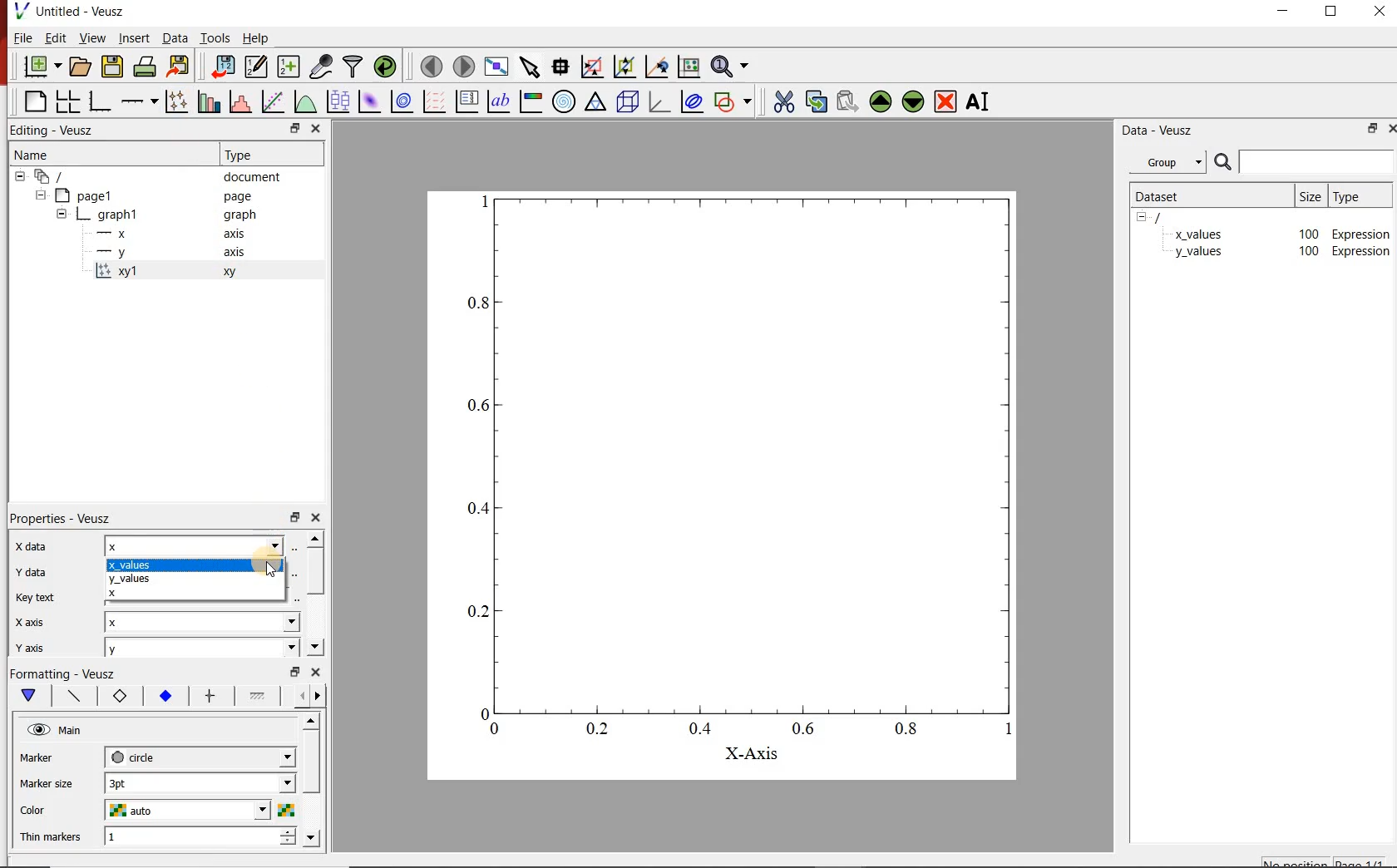  I want to click on x='x', y='y', marker='circle', so click(116, 273).